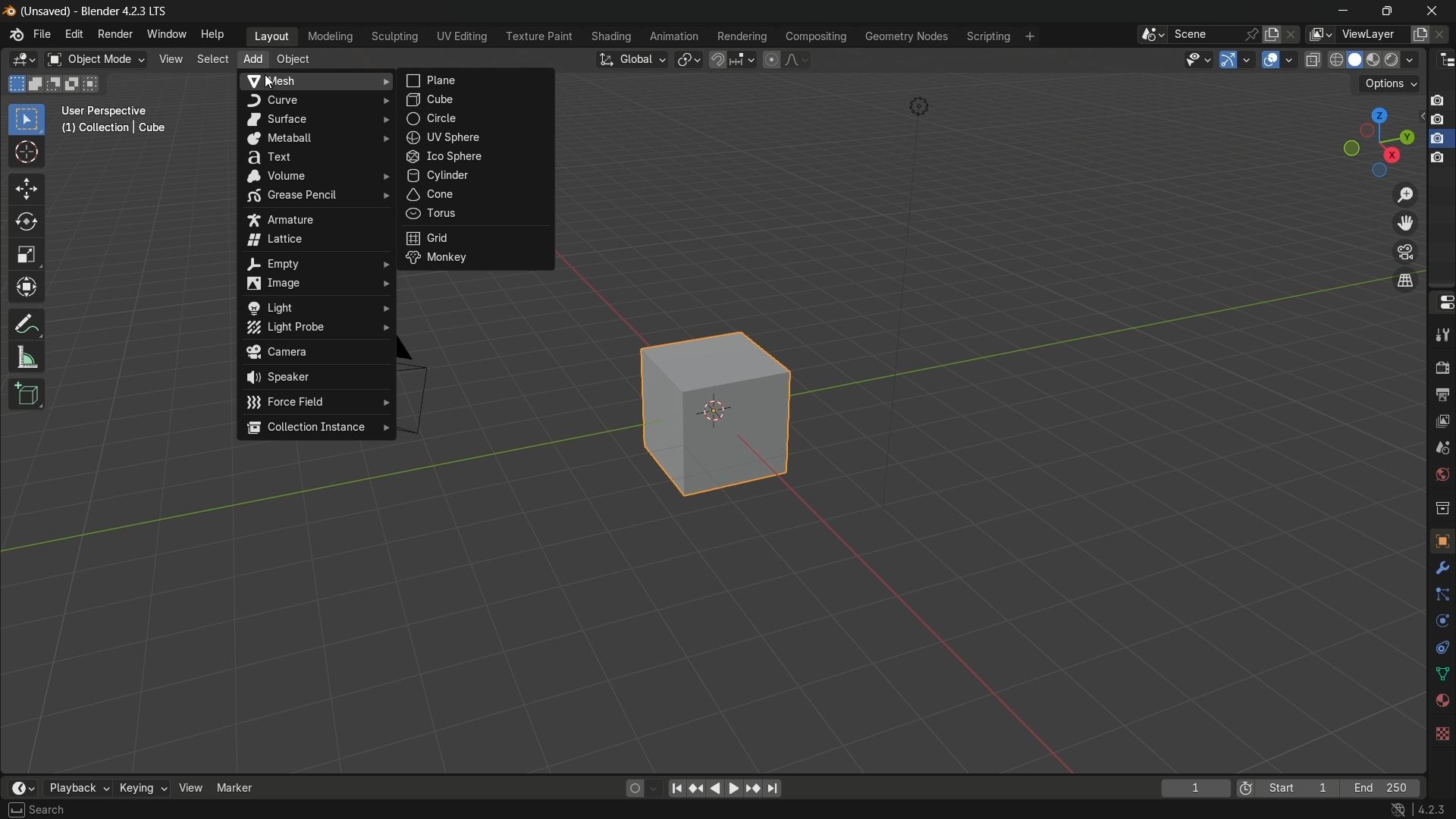 The height and width of the screenshot is (819, 1456). What do you see at coordinates (725, 788) in the screenshot?
I see `play animation` at bounding box center [725, 788].